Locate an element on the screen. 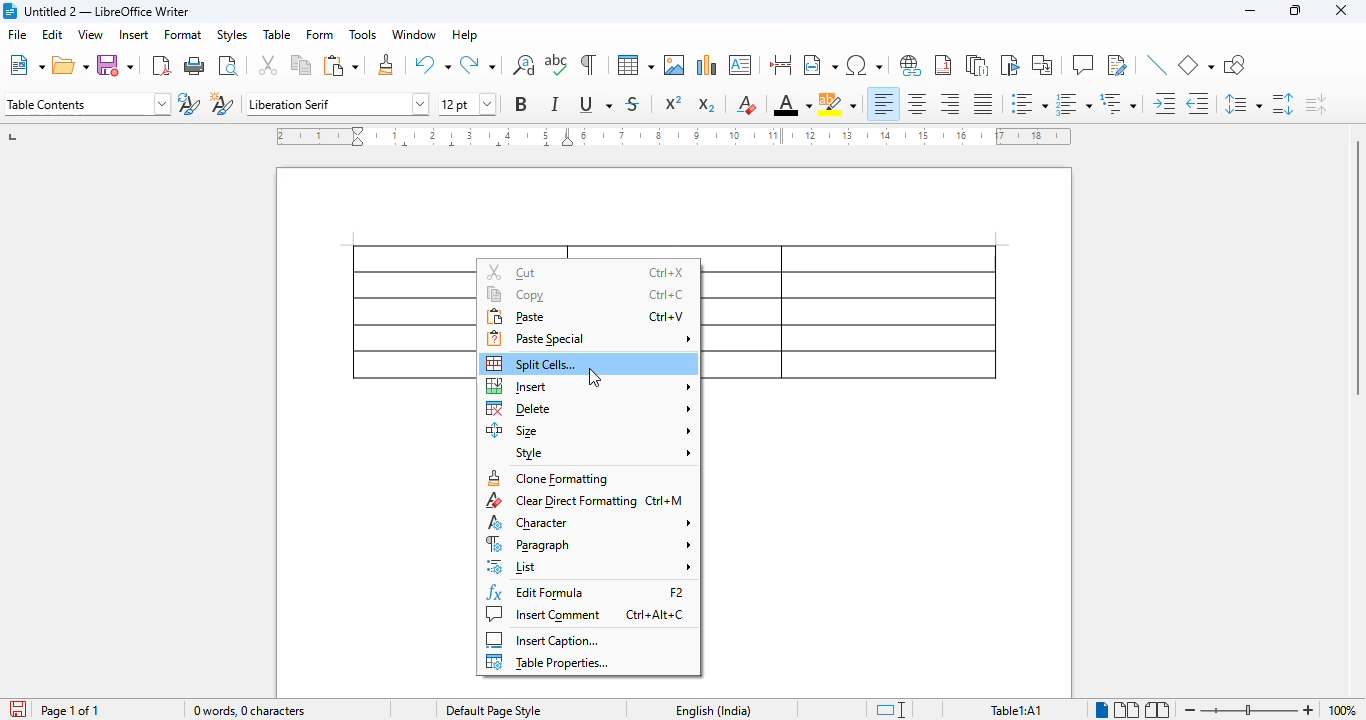 The width and height of the screenshot is (1366, 720). save is located at coordinates (115, 65).